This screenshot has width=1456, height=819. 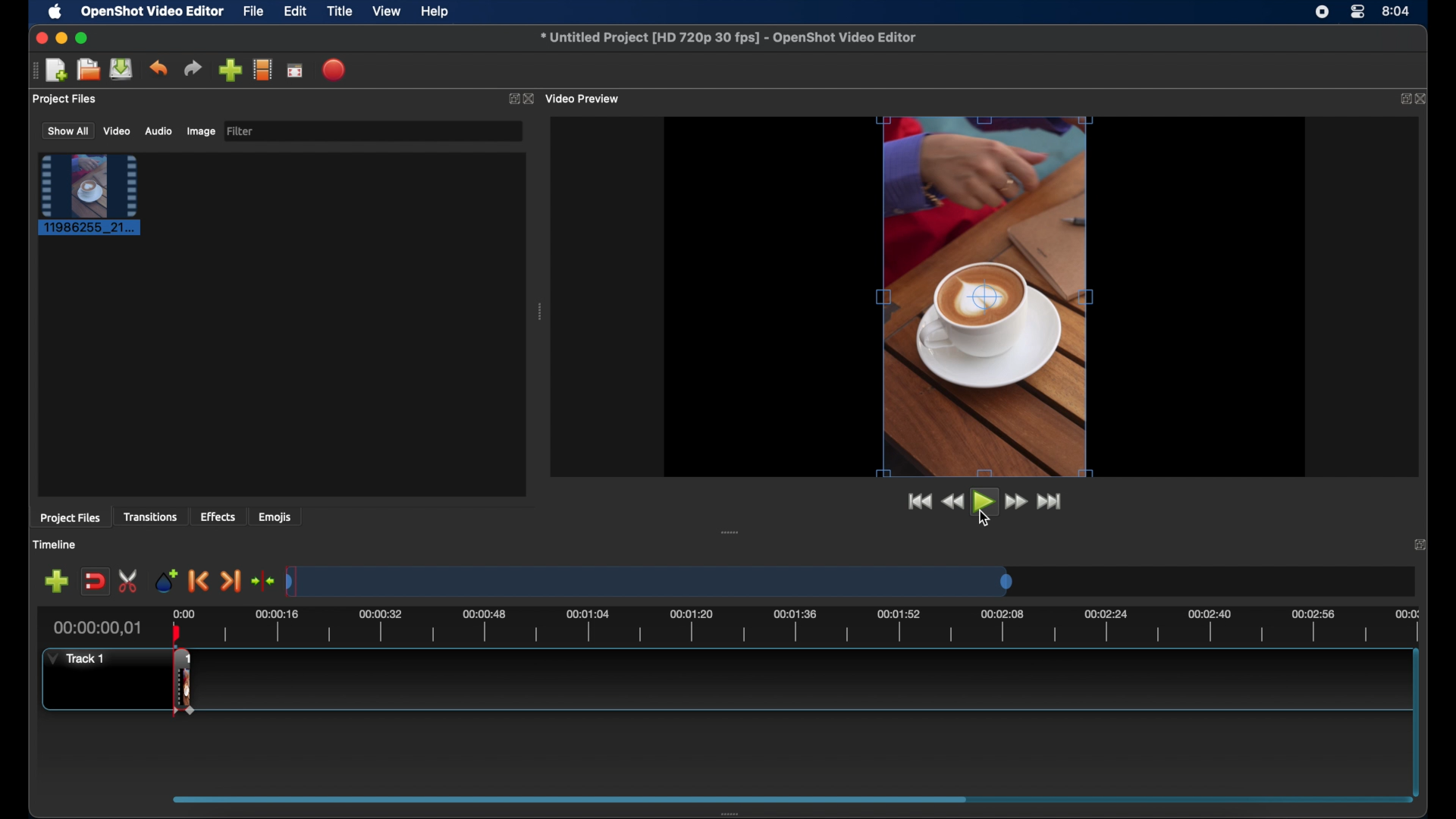 I want to click on project file, so click(x=90, y=195).